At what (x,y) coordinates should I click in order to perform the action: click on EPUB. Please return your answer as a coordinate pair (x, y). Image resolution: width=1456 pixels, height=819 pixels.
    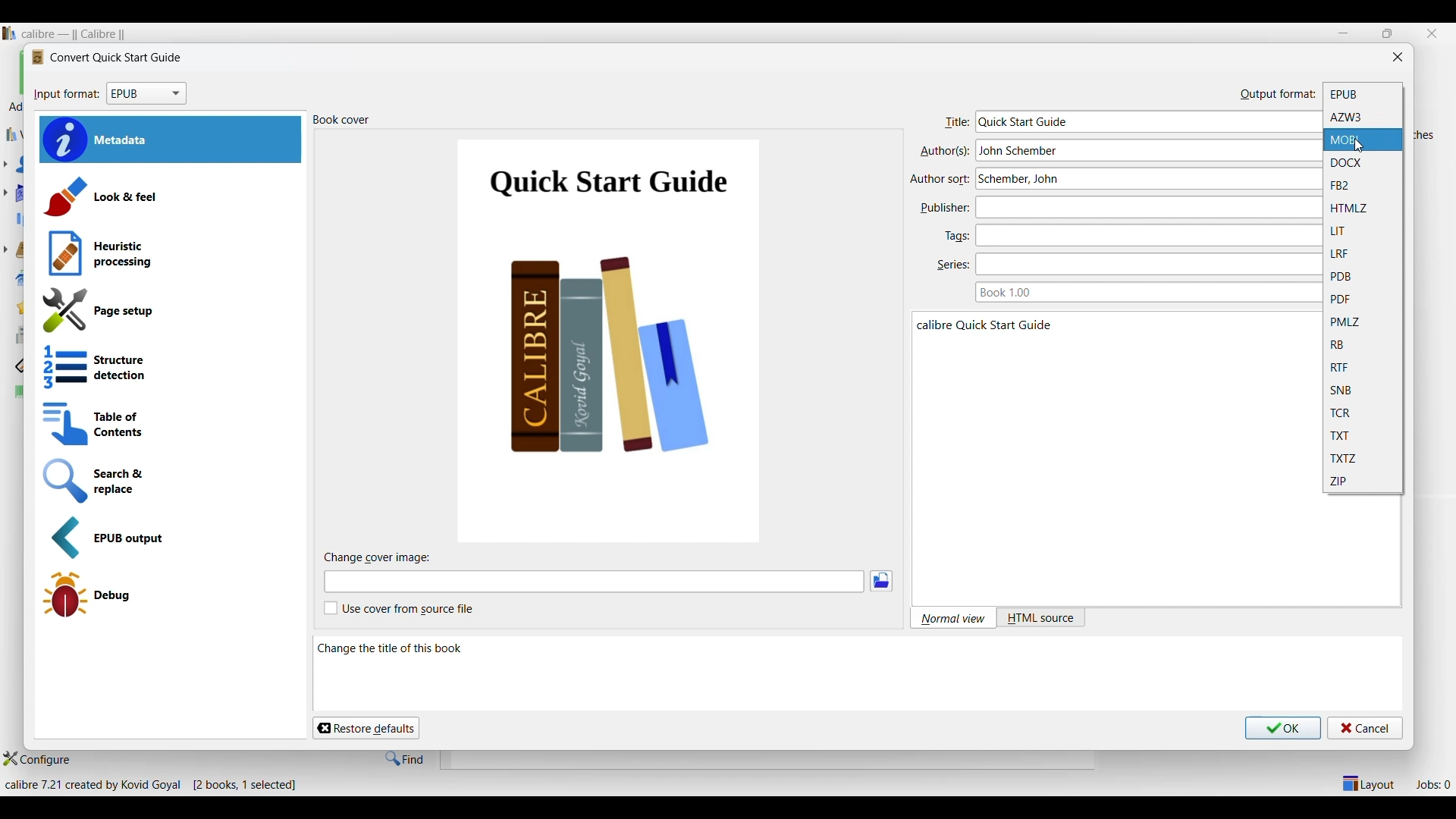
    Looking at the image, I should click on (1363, 93).